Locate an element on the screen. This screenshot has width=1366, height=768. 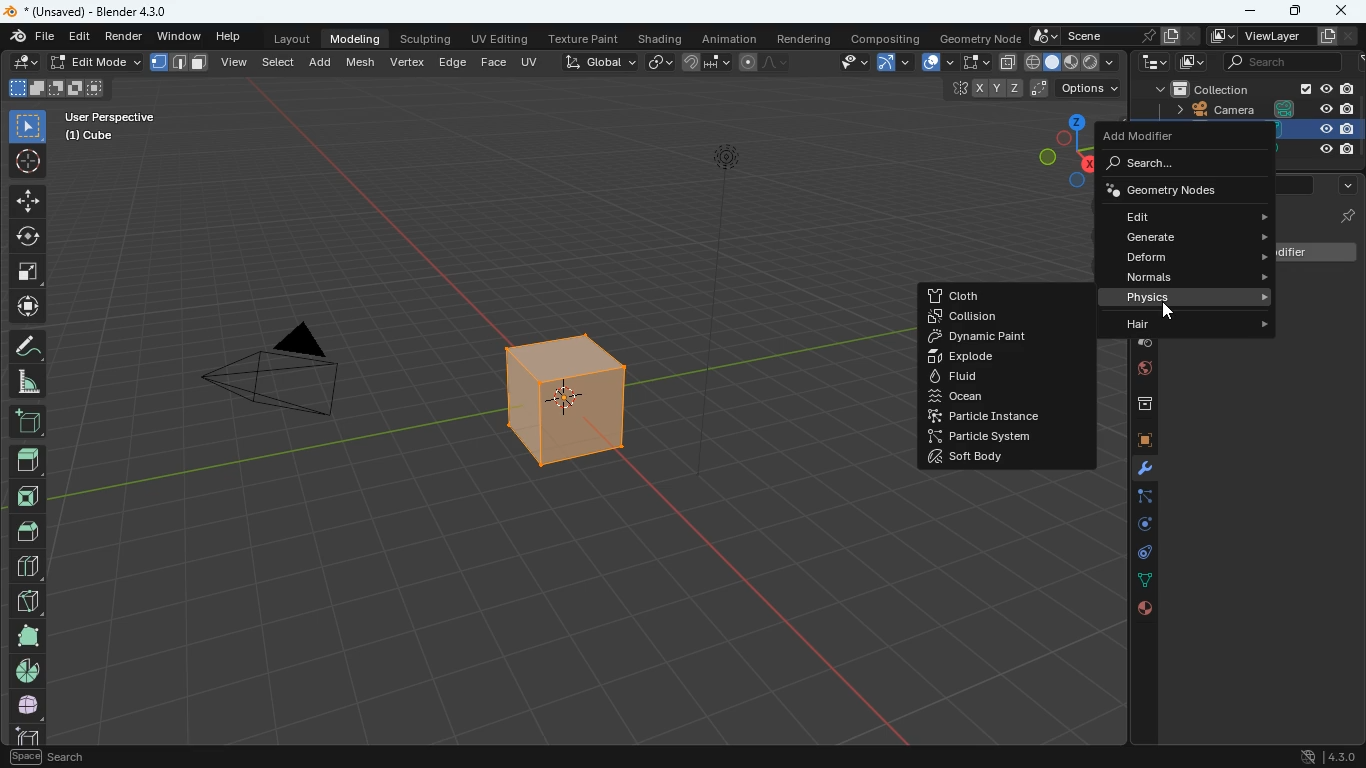
coordinates is located at coordinates (1030, 90).